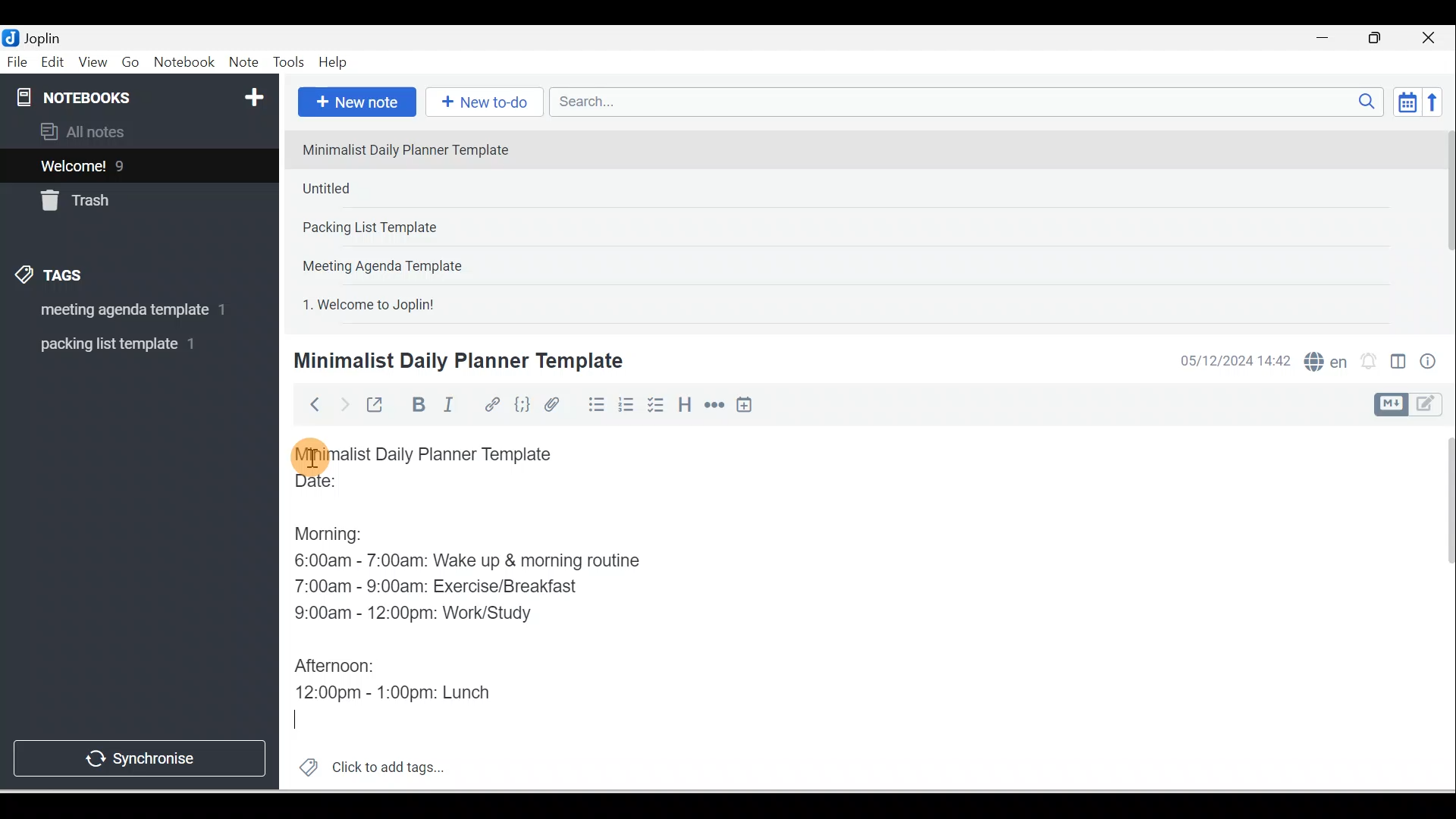 The height and width of the screenshot is (819, 1456). I want to click on Spelling, so click(1323, 359).